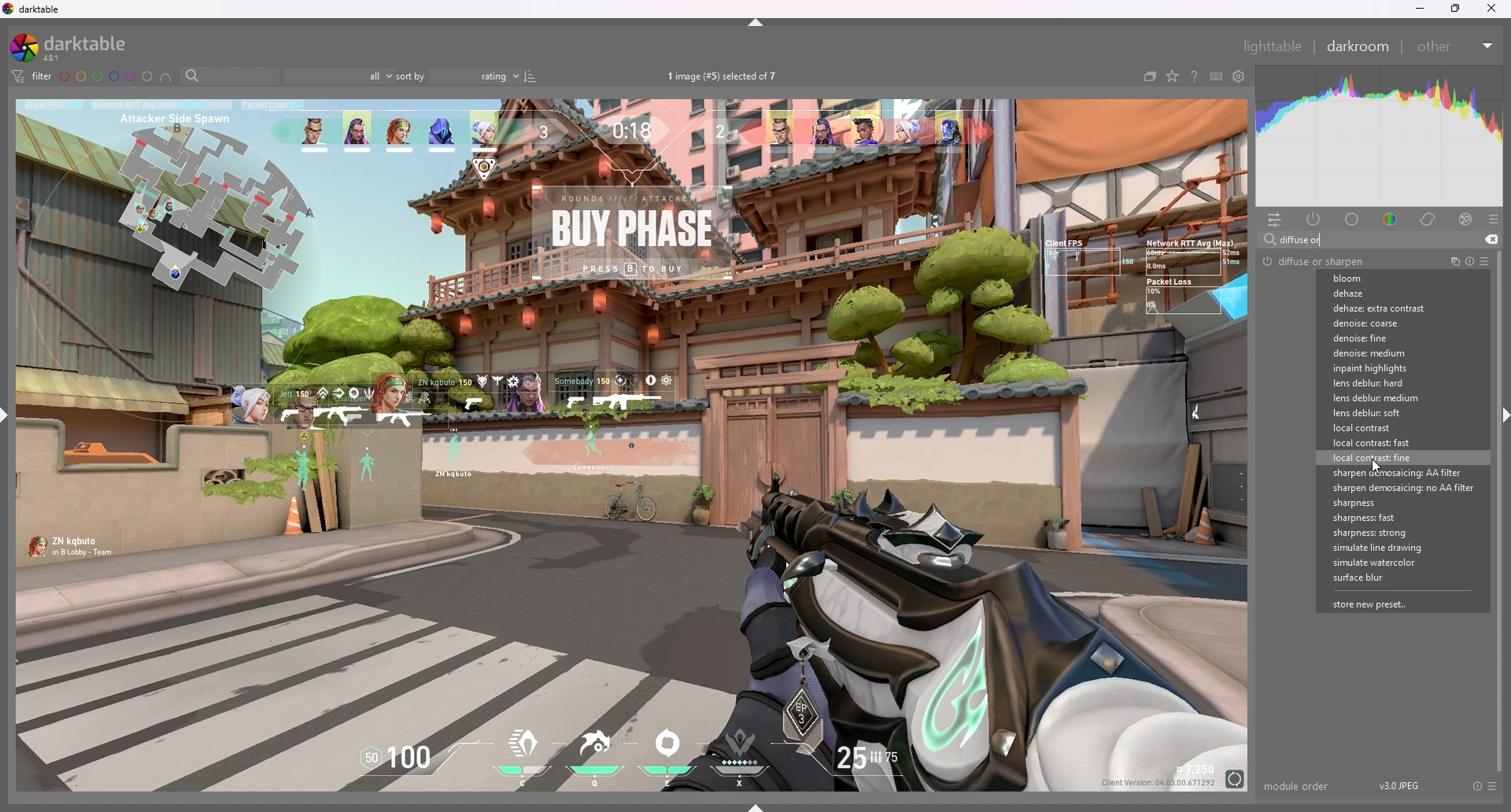 The image size is (1511, 812). Describe the element at coordinates (1392, 218) in the screenshot. I see `color` at that location.